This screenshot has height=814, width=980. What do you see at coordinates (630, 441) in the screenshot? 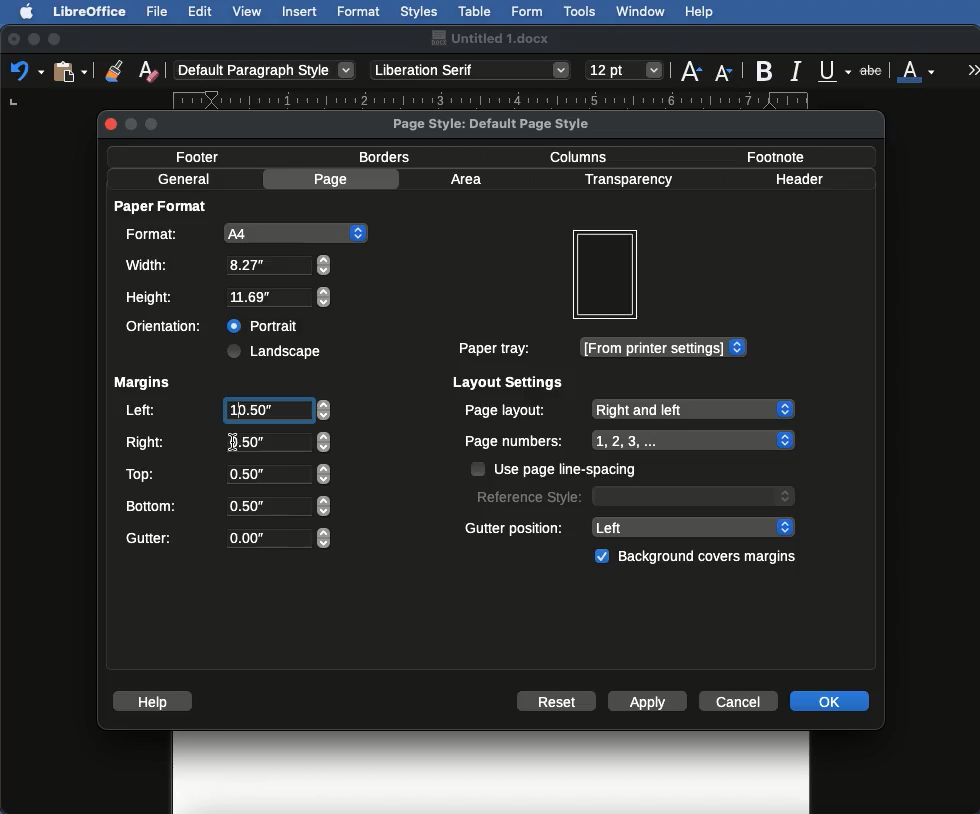
I see `Page numbers` at bounding box center [630, 441].